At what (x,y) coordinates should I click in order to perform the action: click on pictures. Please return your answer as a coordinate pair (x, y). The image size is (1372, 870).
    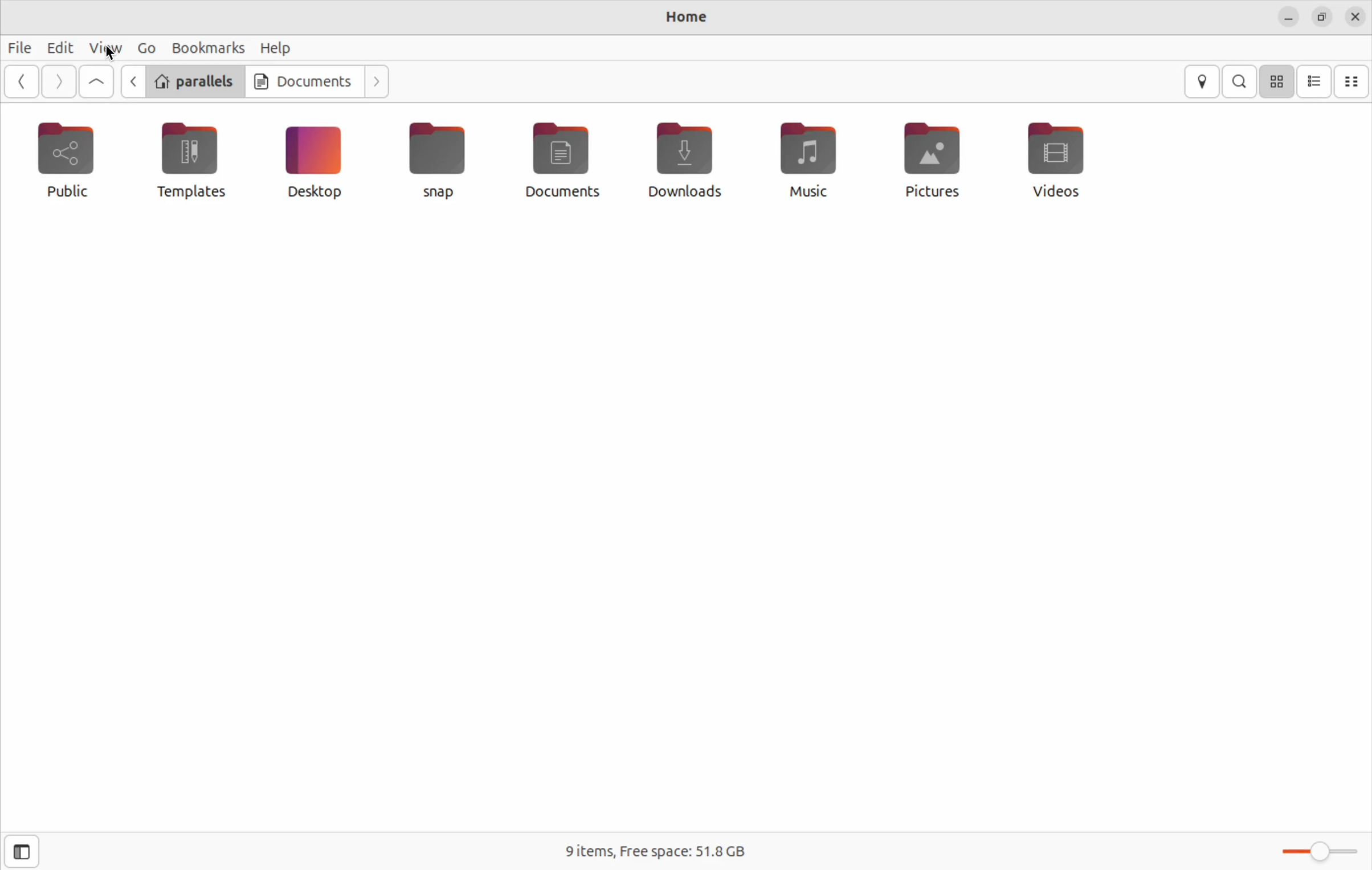
    Looking at the image, I should click on (930, 162).